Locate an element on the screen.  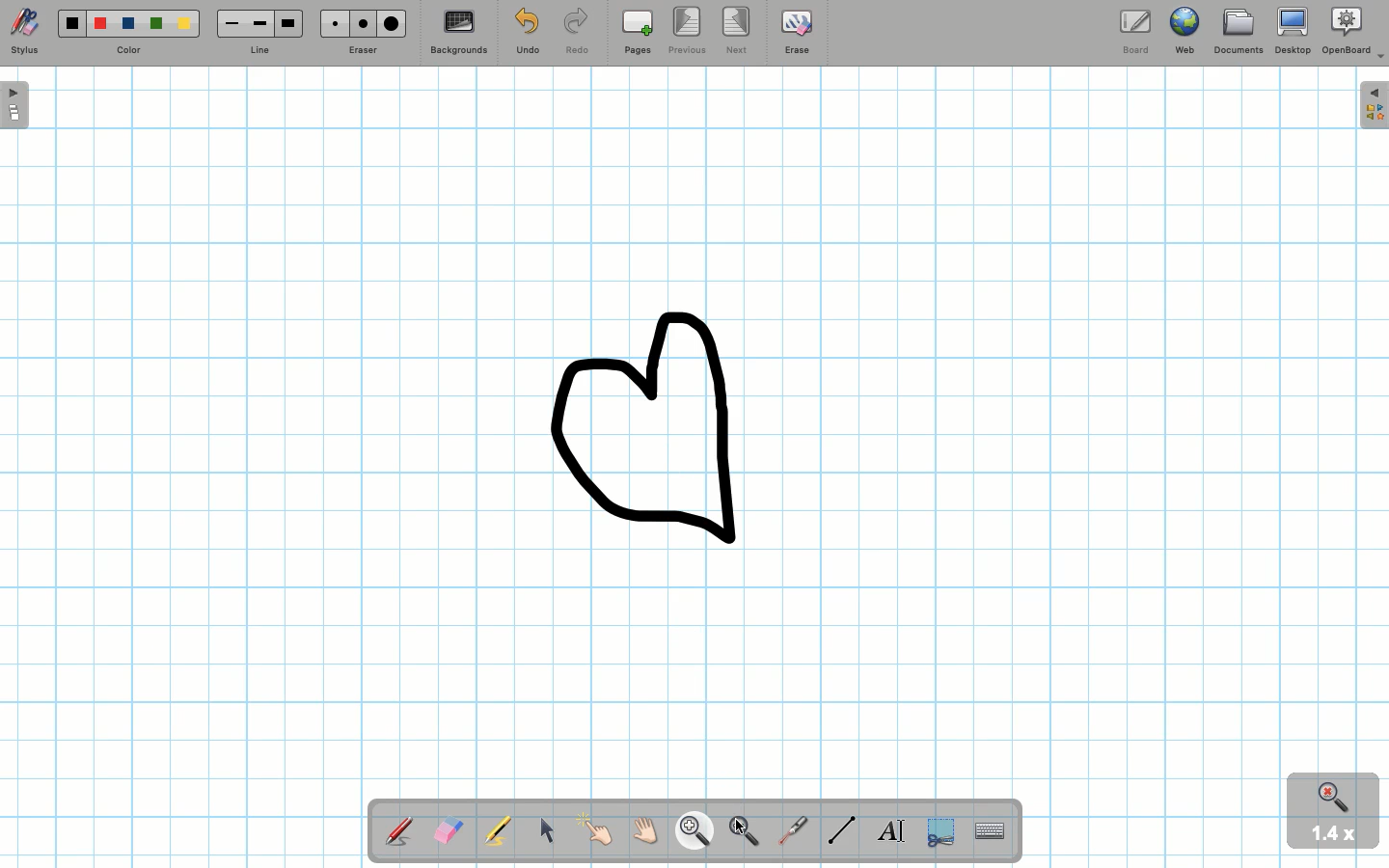
Open board is located at coordinates (15, 107).